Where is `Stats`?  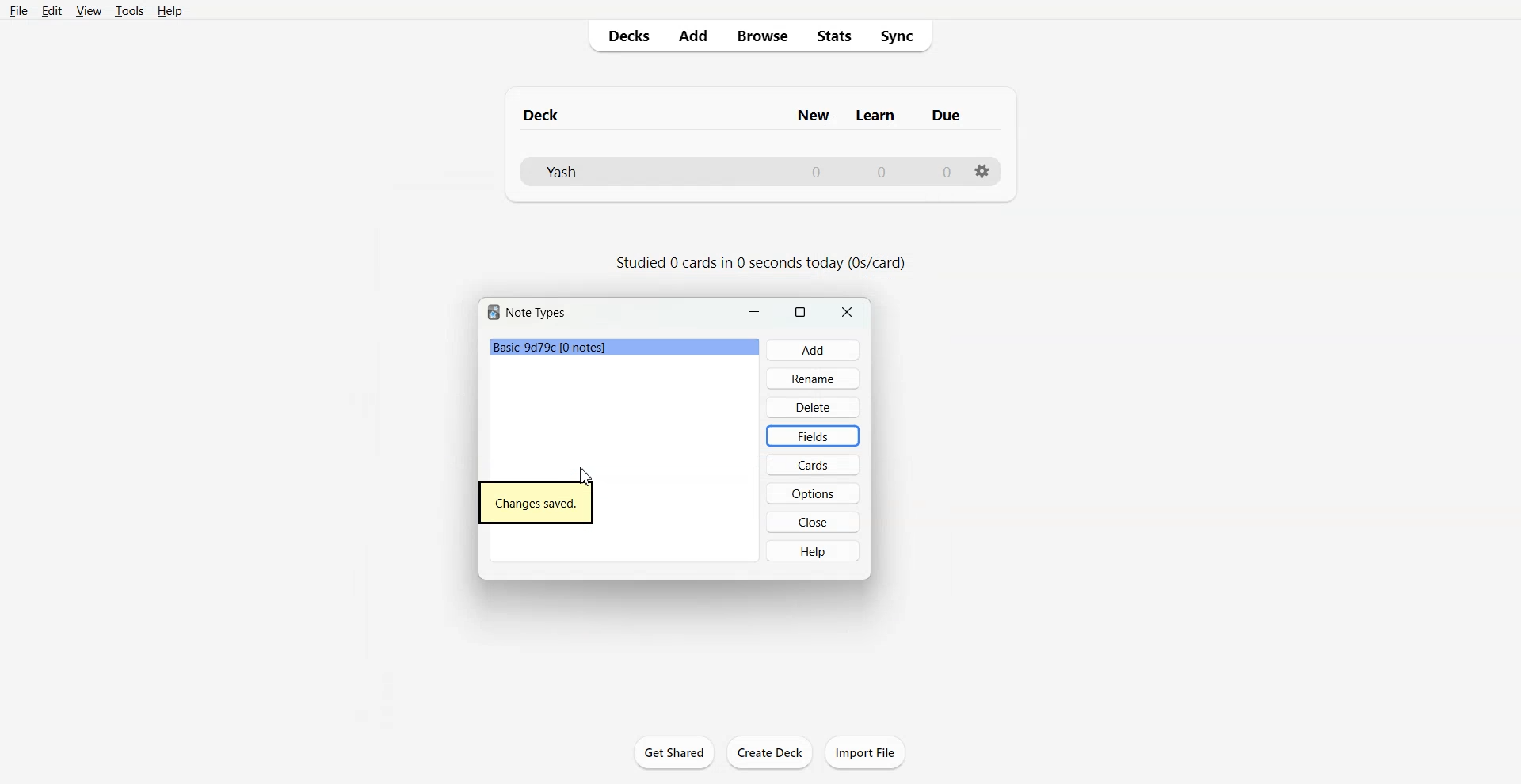 Stats is located at coordinates (835, 36).